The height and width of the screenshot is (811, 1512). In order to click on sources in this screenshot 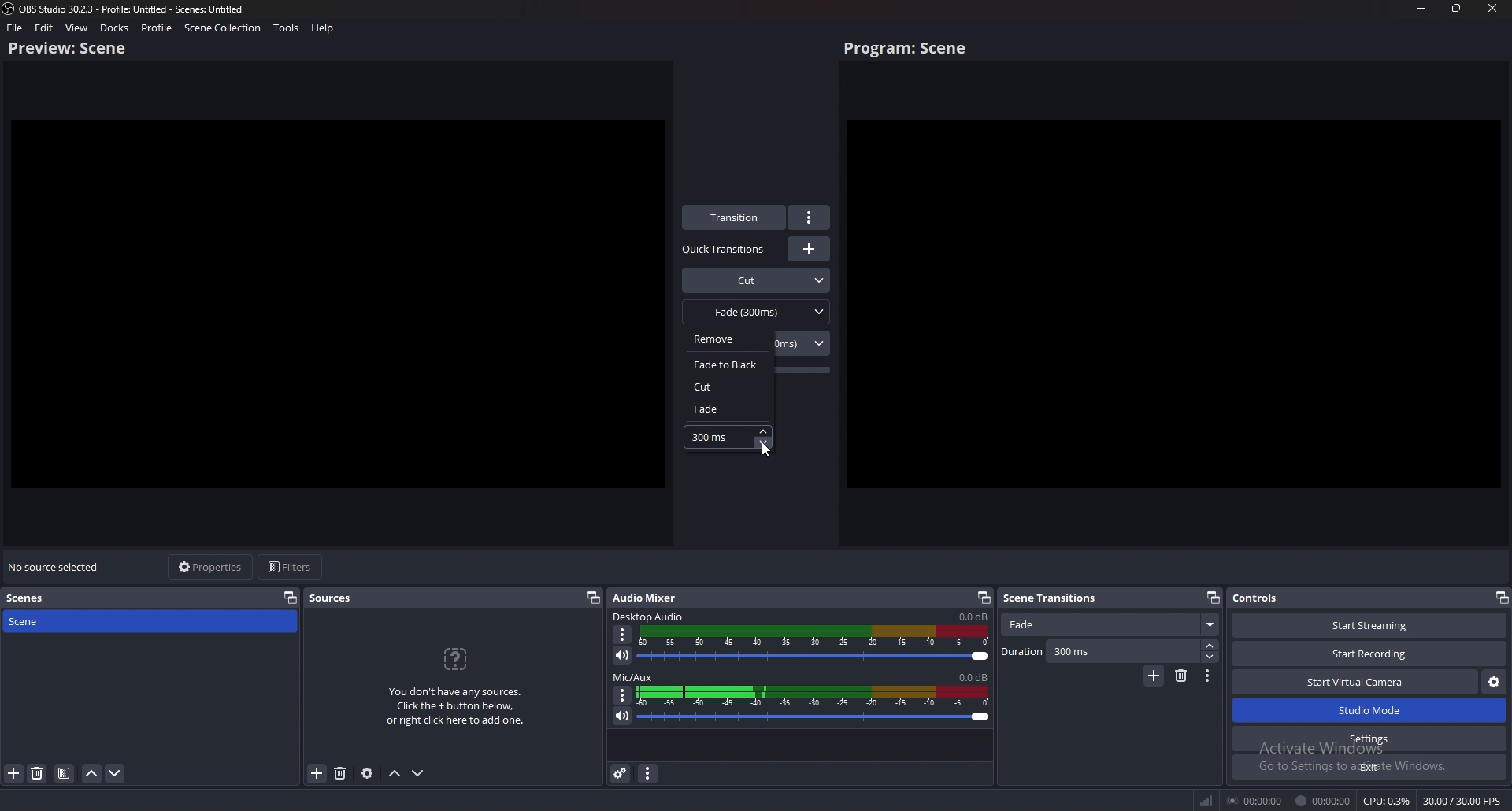, I will do `click(332, 598)`.